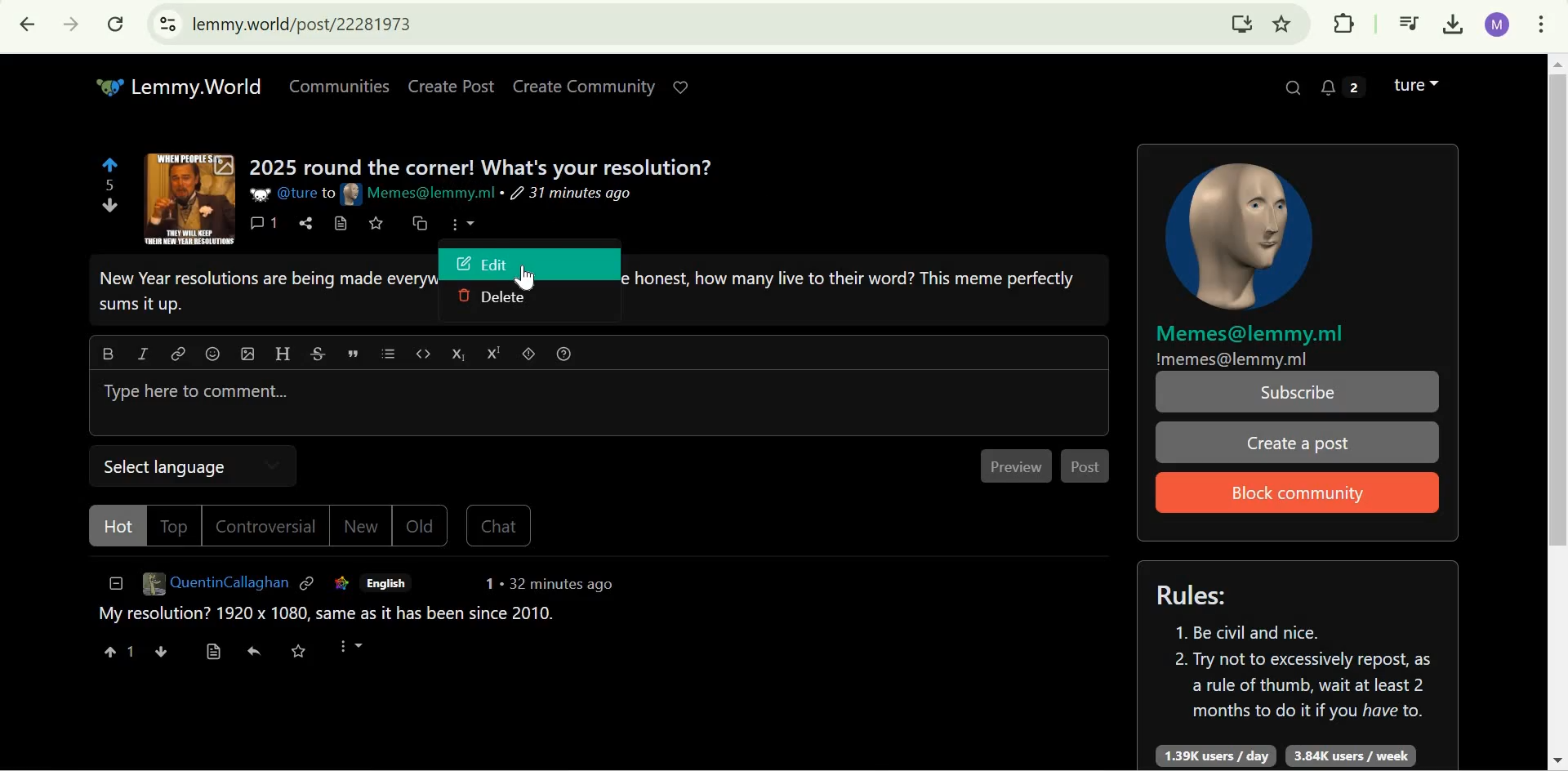  What do you see at coordinates (424, 353) in the screenshot?
I see `code` at bounding box center [424, 353].